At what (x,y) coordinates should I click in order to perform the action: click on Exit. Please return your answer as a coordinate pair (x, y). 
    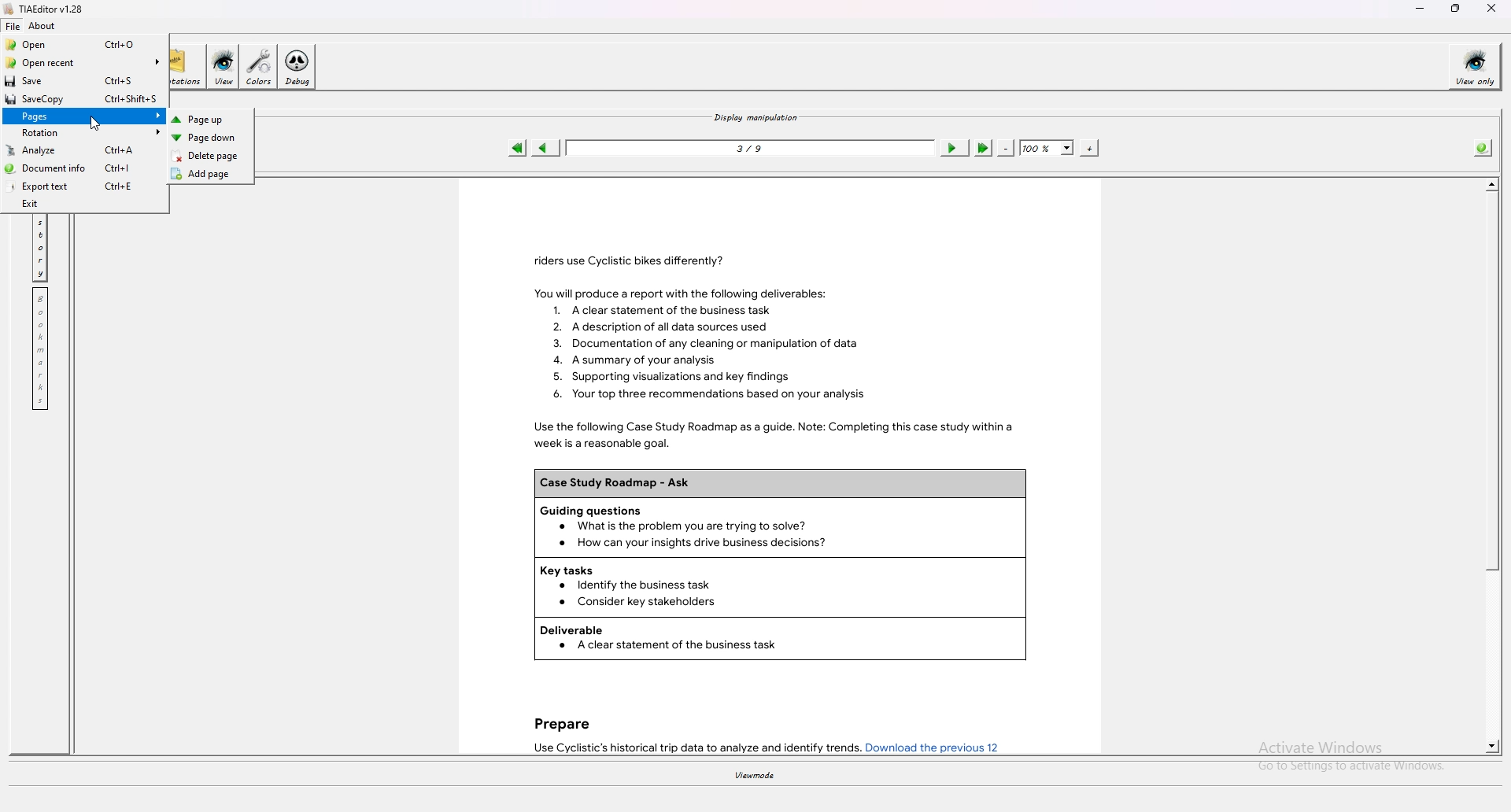
    Looking at the image, I should click on (71, 205).